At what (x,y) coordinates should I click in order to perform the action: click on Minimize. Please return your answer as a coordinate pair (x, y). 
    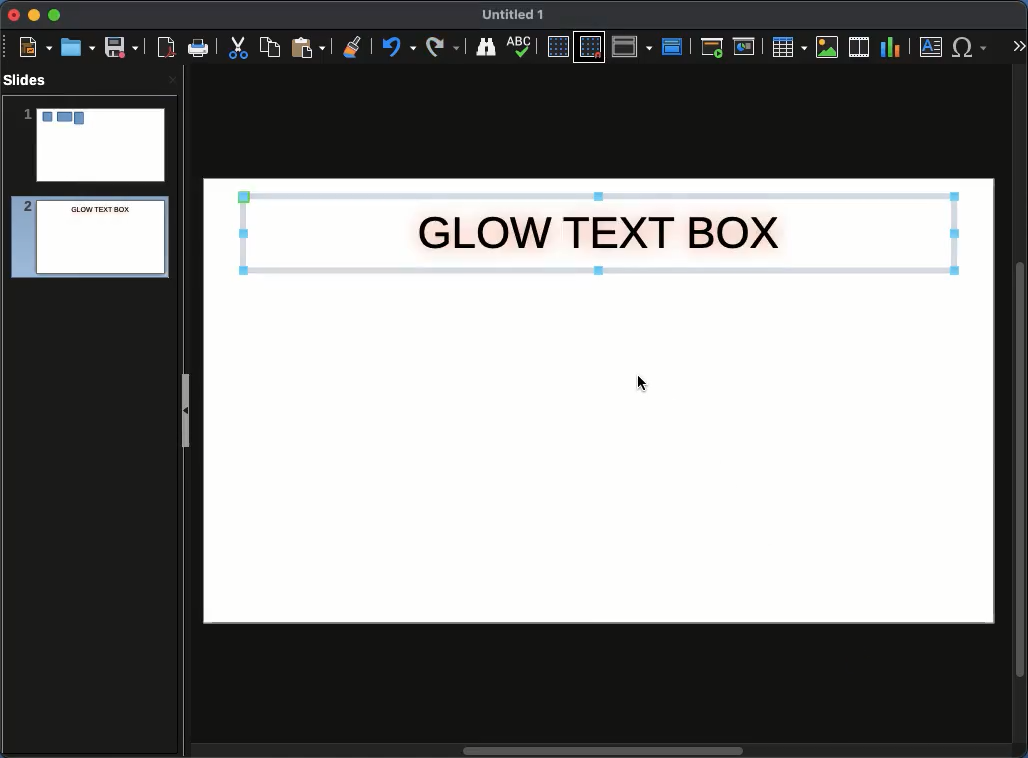
    Looking at the image, I should click on (33, 14).